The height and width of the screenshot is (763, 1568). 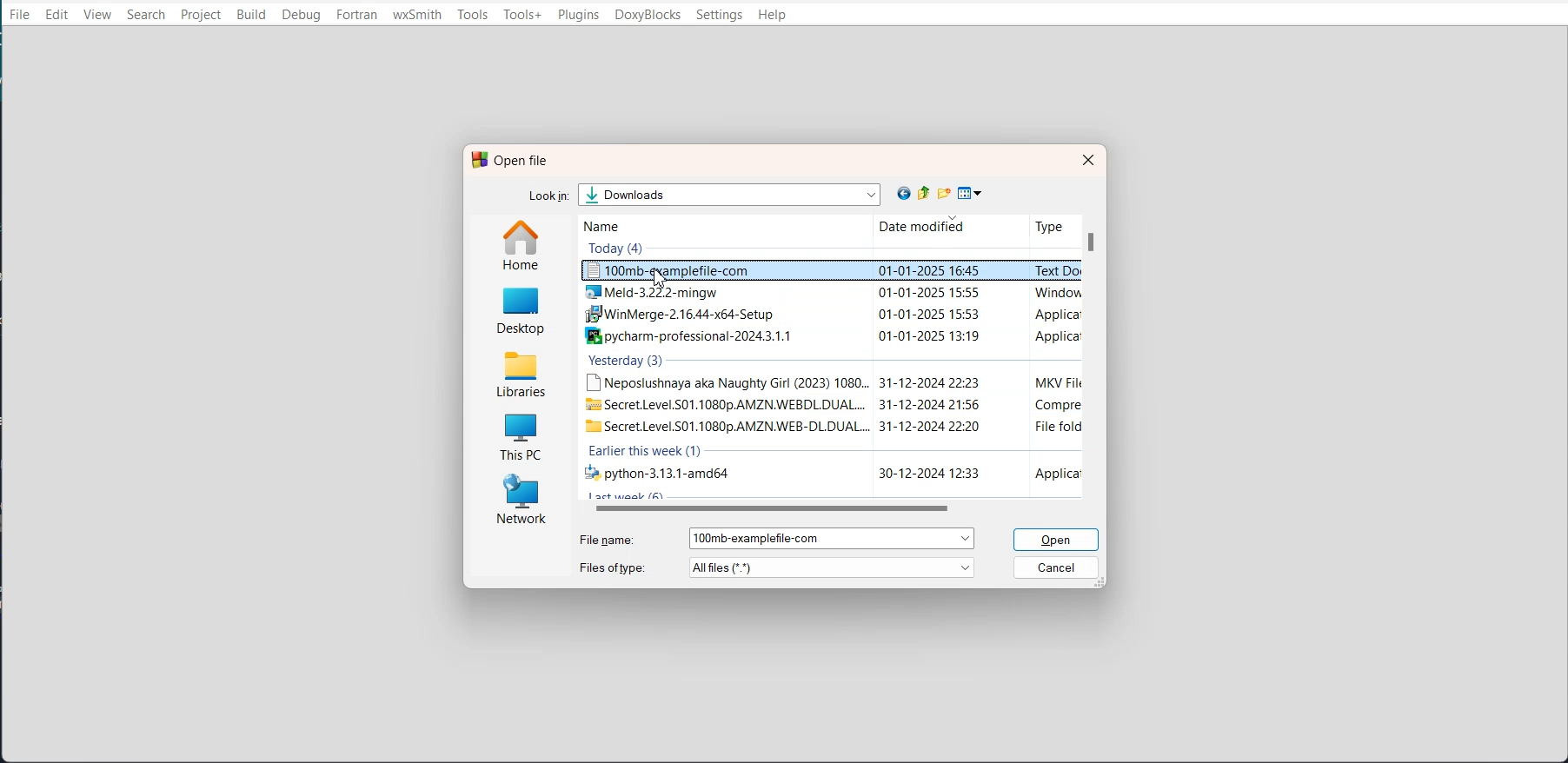 I want to click on Open, so click(x=1059, y=540).